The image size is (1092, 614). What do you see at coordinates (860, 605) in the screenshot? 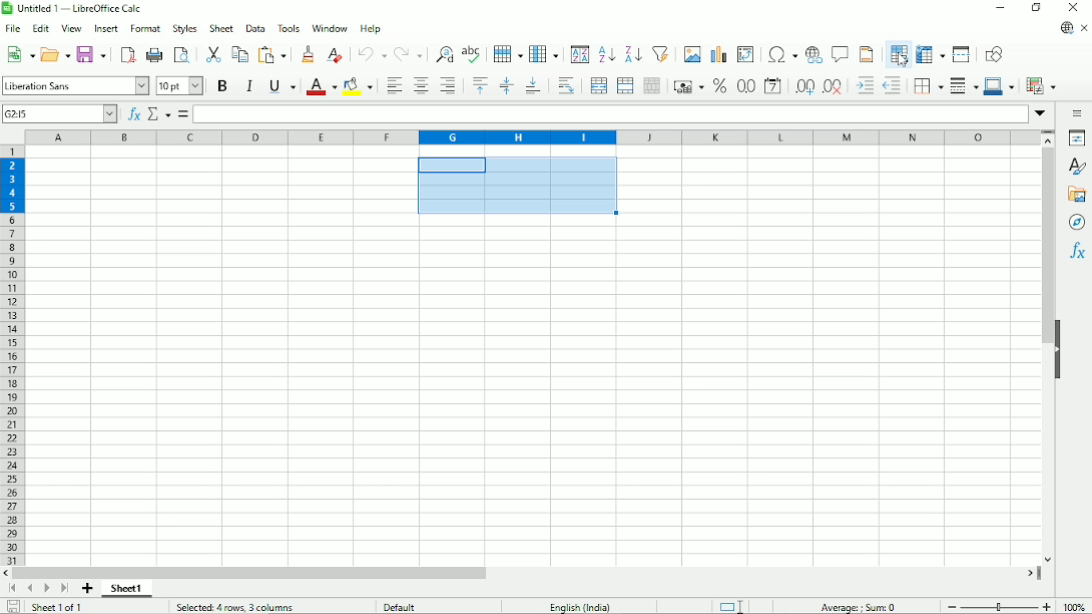
I see `Average, sum` at bounding box center [860, 605].